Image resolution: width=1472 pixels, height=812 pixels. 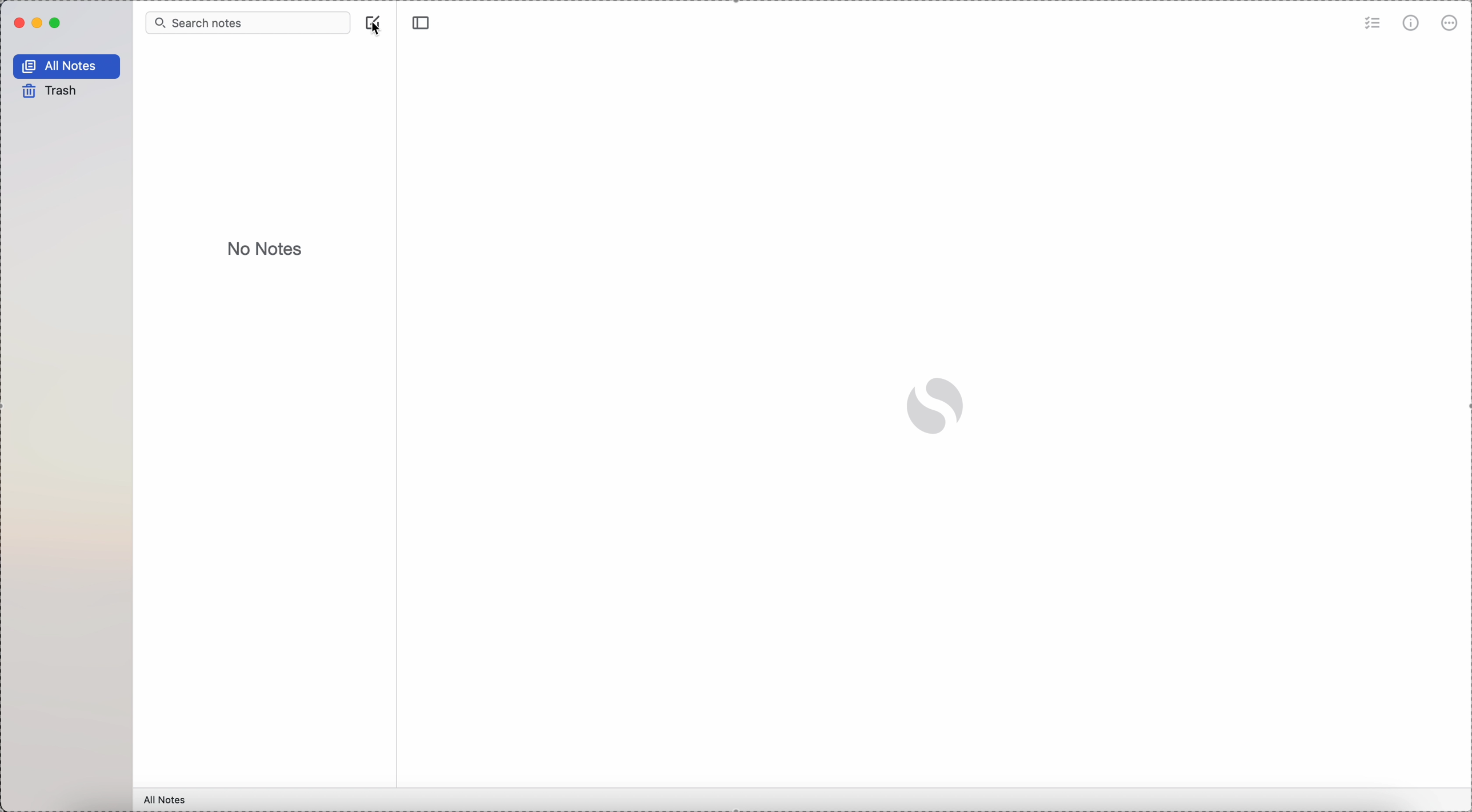 I want to click on minimize Simplenote, so click(x=39, y=24).